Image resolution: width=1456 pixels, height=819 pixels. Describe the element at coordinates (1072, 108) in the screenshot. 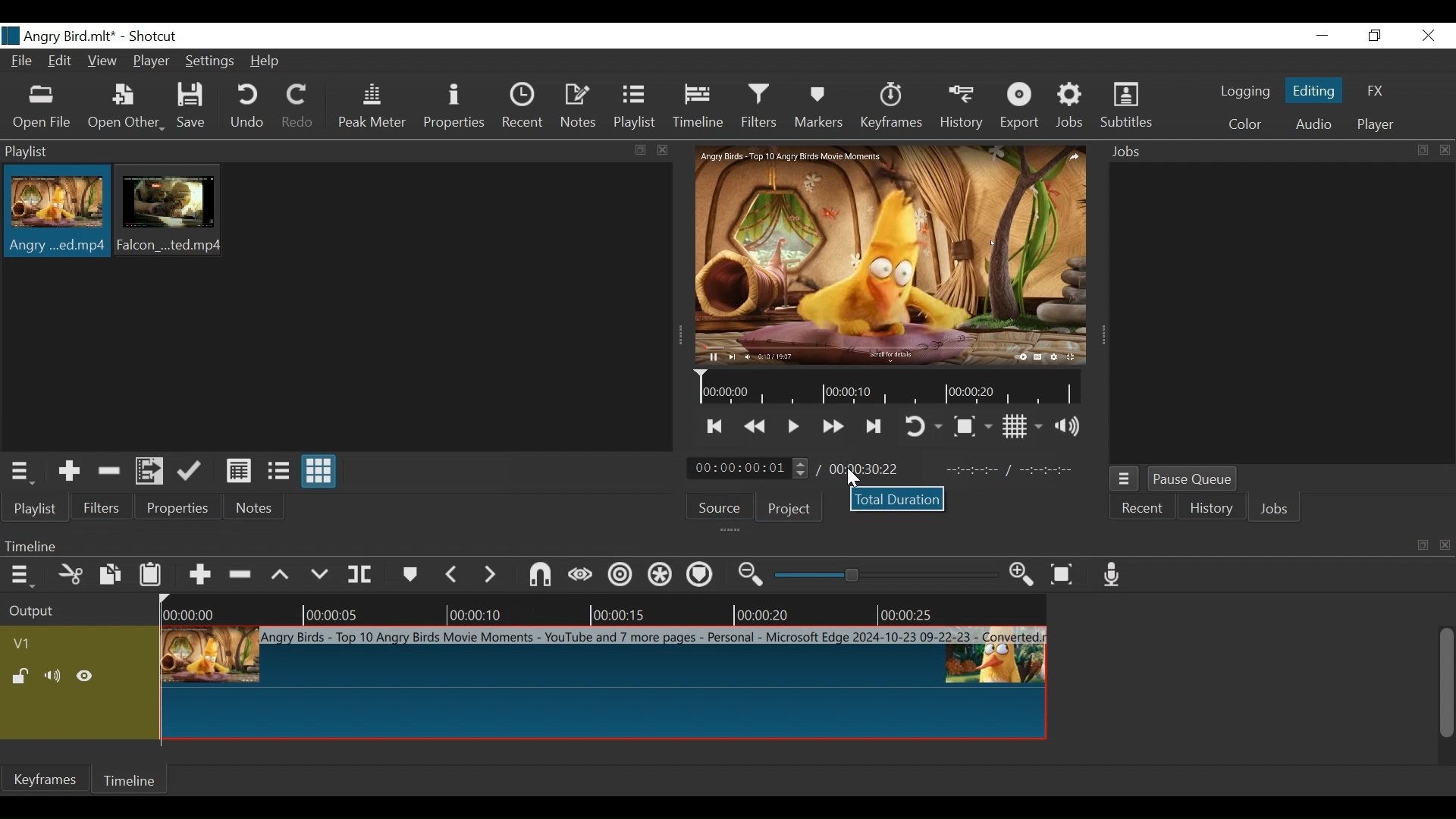

I see `Jobs` at that location.